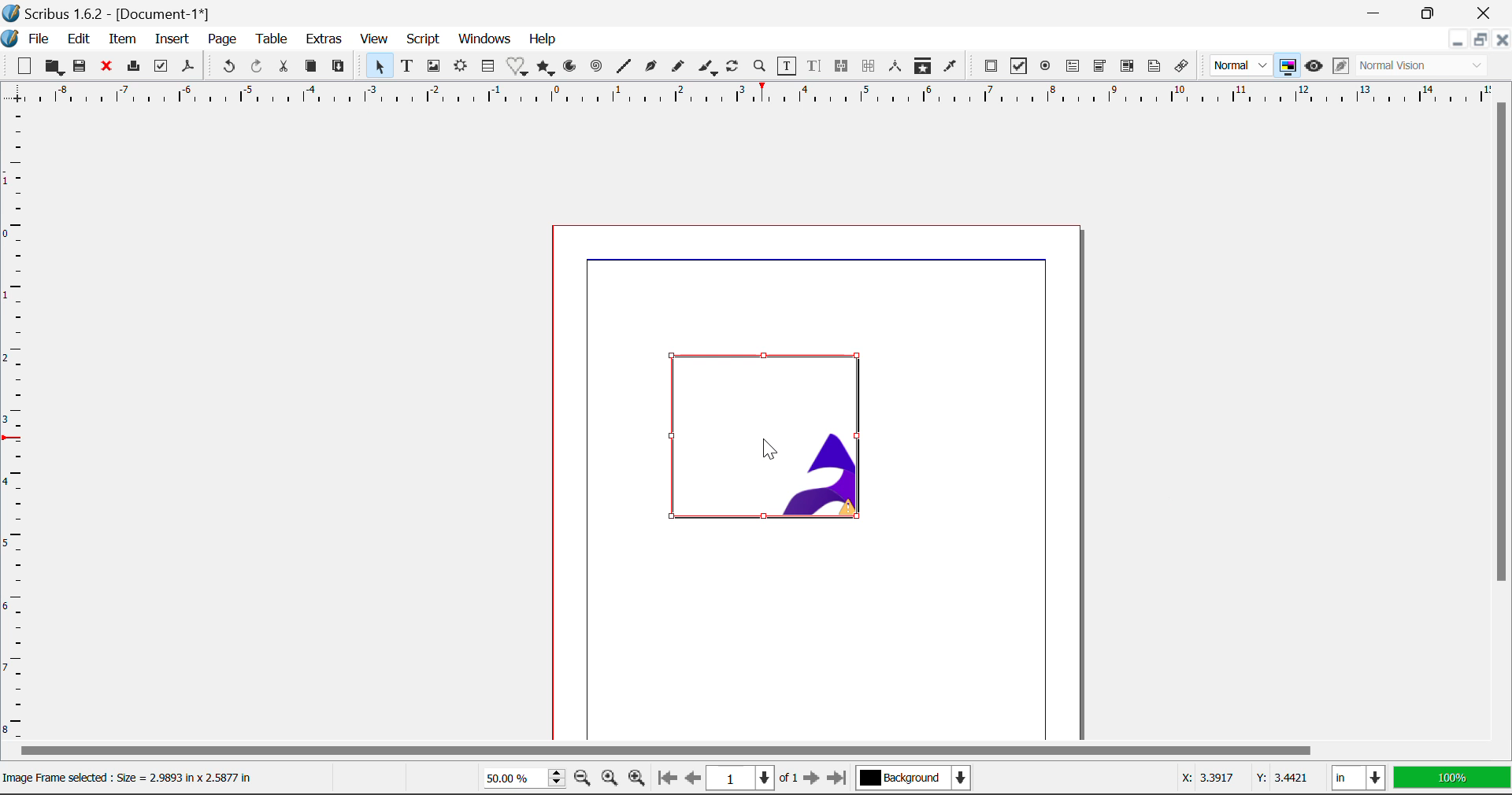 Image resolution: width=1512 pixels, height=795 pixels. Describe the element at coordinates (760, 67) in the screenshot. I see `Search` at that location.